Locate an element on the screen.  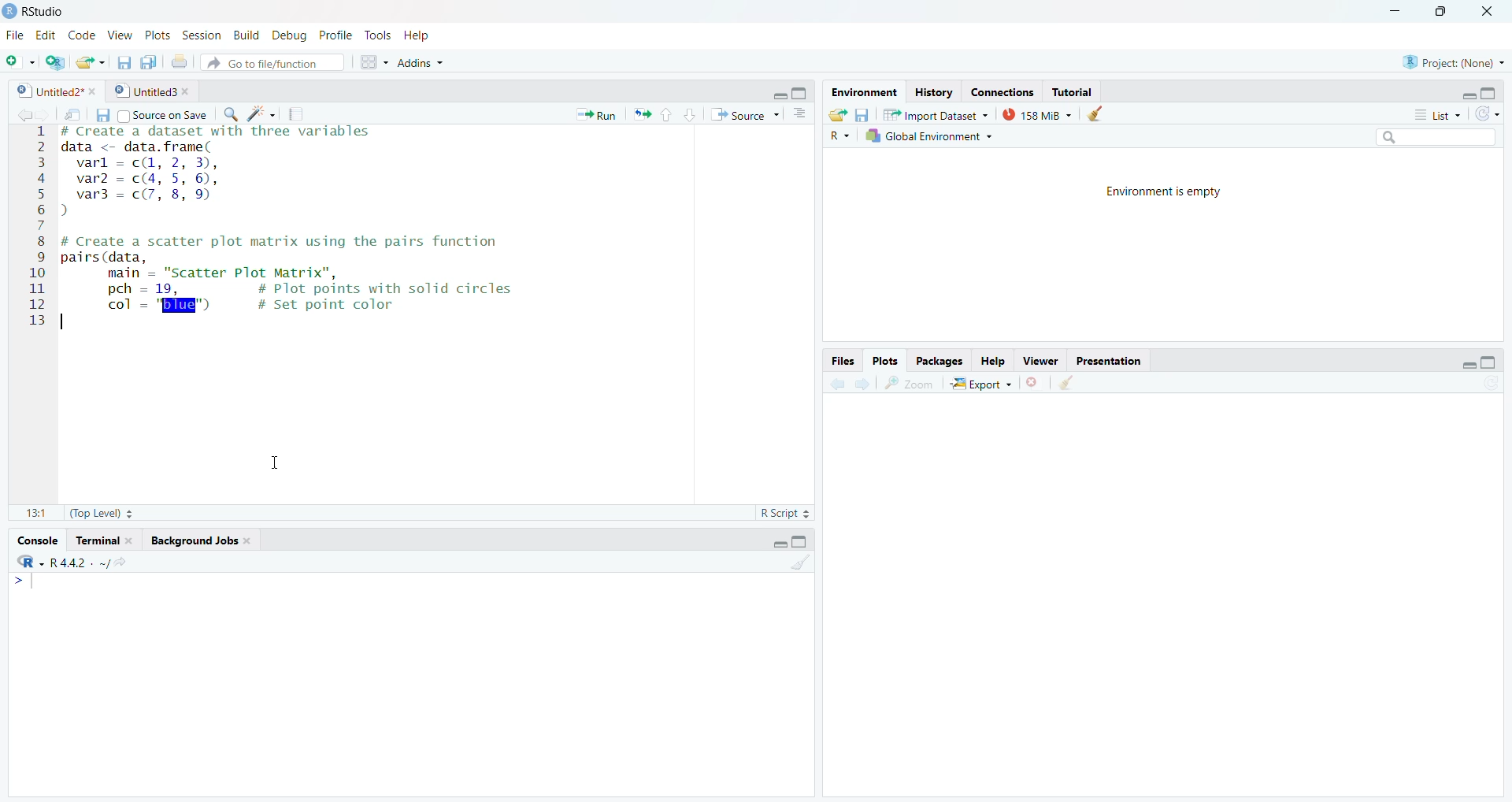
Session is located at coordinates (202, 33).